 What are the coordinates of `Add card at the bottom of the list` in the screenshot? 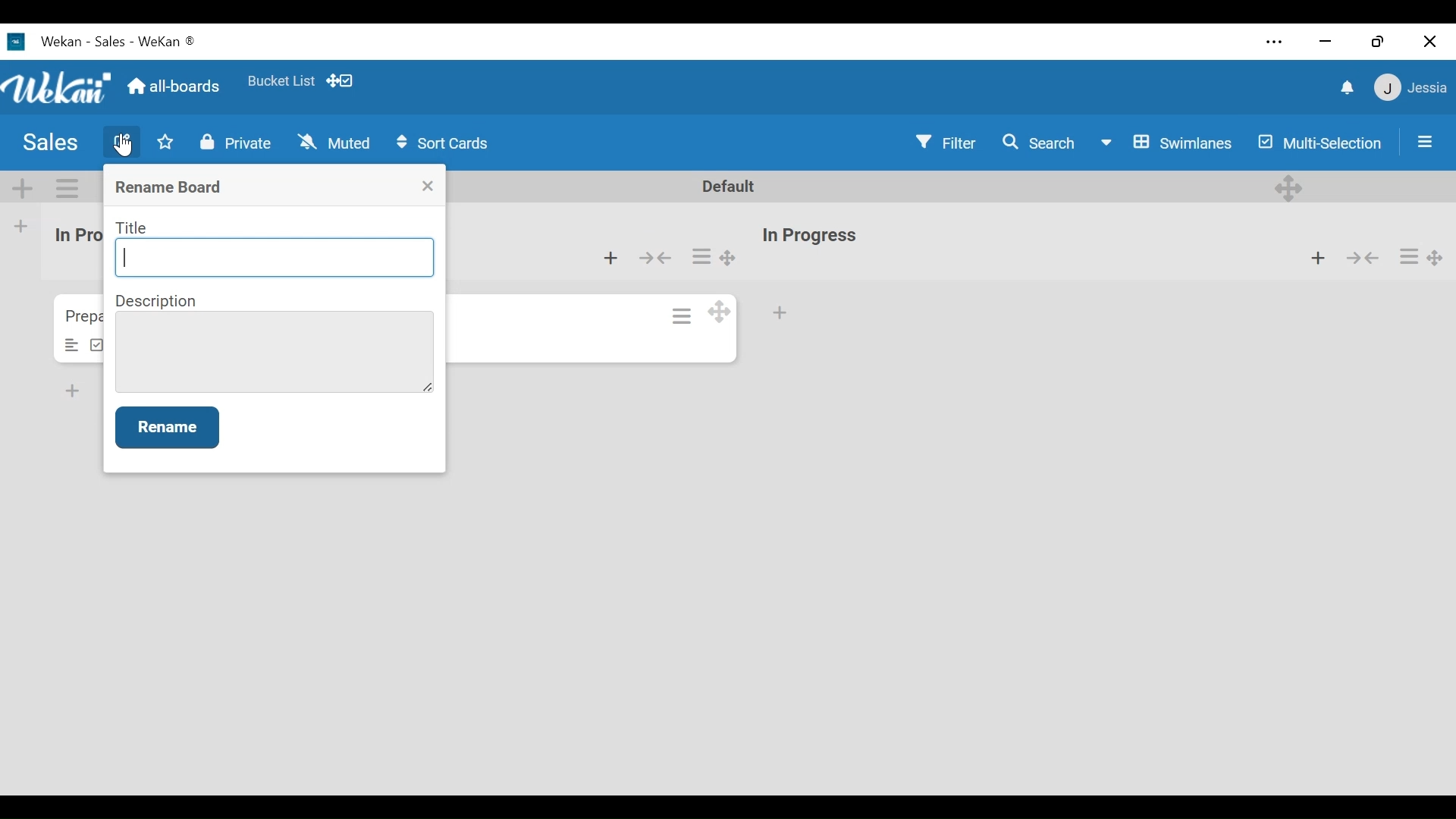 It's located at (780, 313).